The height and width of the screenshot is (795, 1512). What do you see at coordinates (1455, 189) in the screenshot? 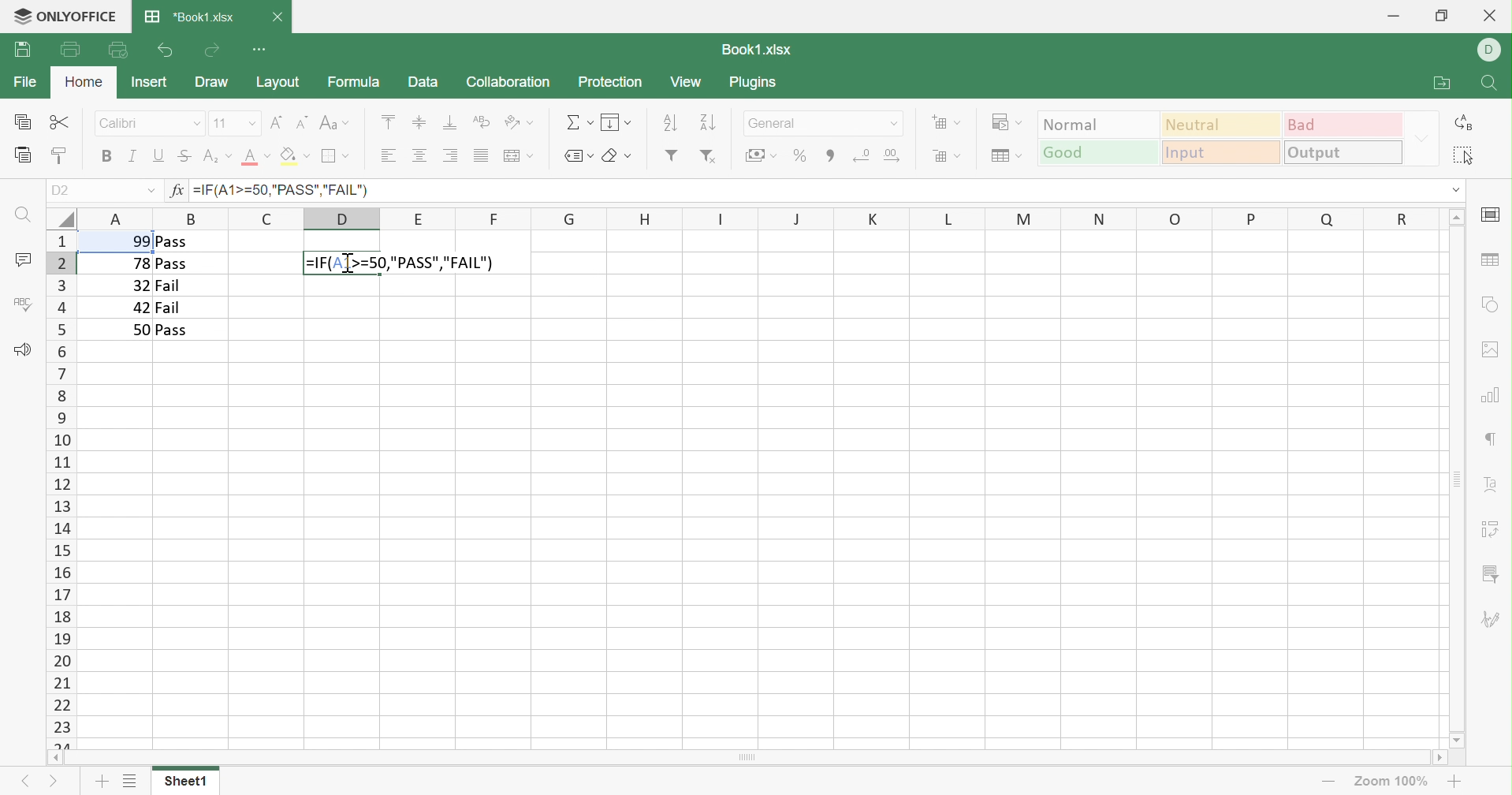
I see `Drop down` at bounding box center [1455, 189].